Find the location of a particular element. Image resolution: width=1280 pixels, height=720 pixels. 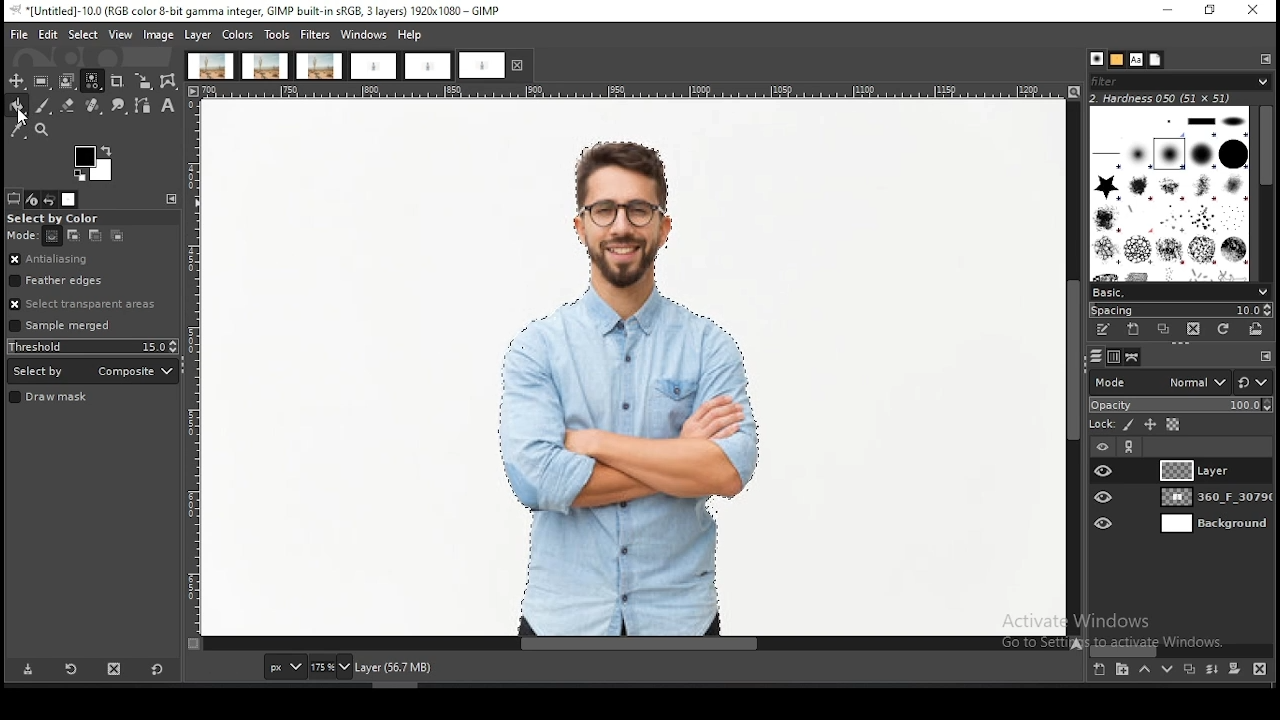

tool options is located at coordinates (14, 199).